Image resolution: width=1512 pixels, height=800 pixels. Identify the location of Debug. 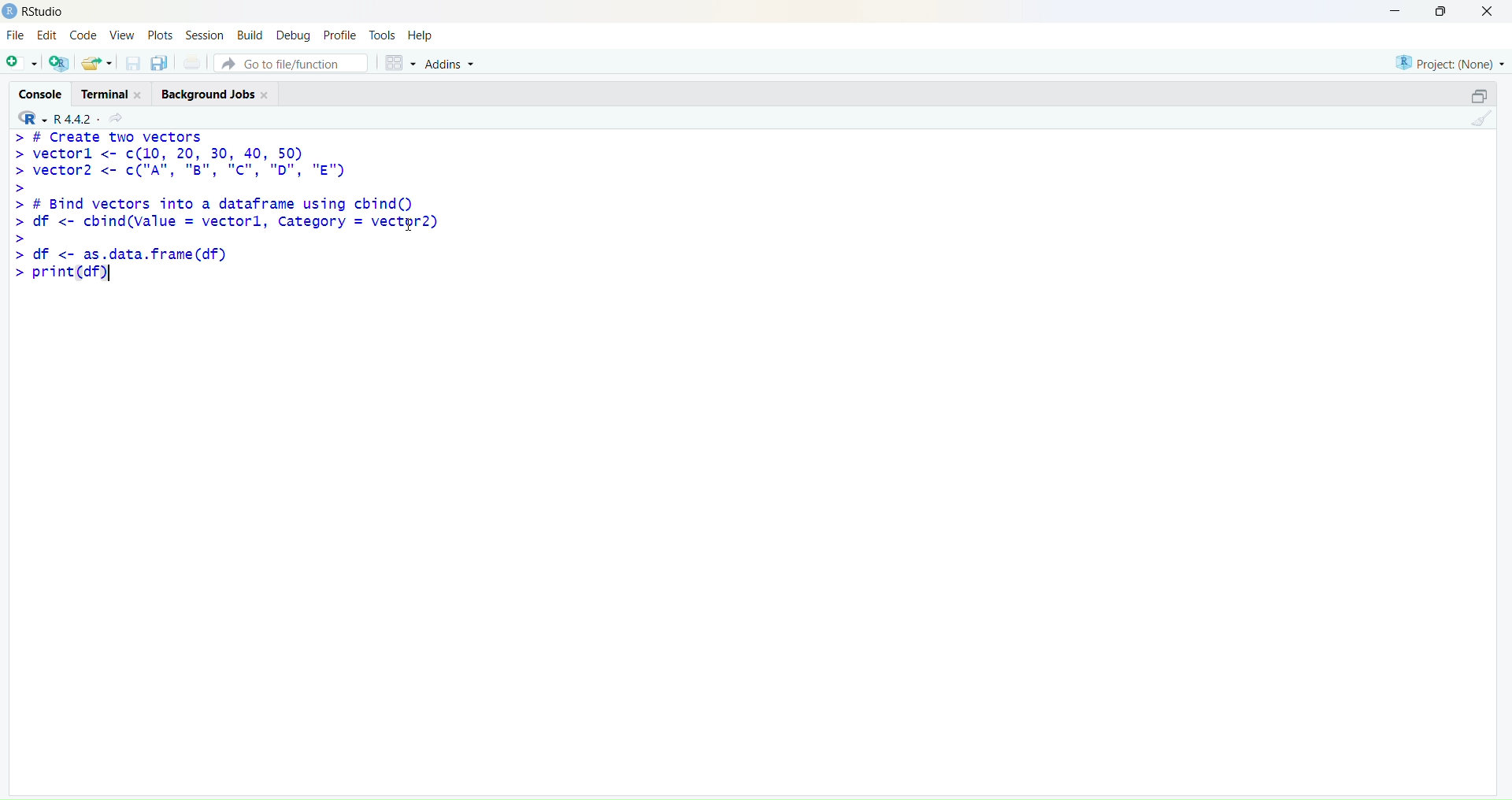
(295, 35).